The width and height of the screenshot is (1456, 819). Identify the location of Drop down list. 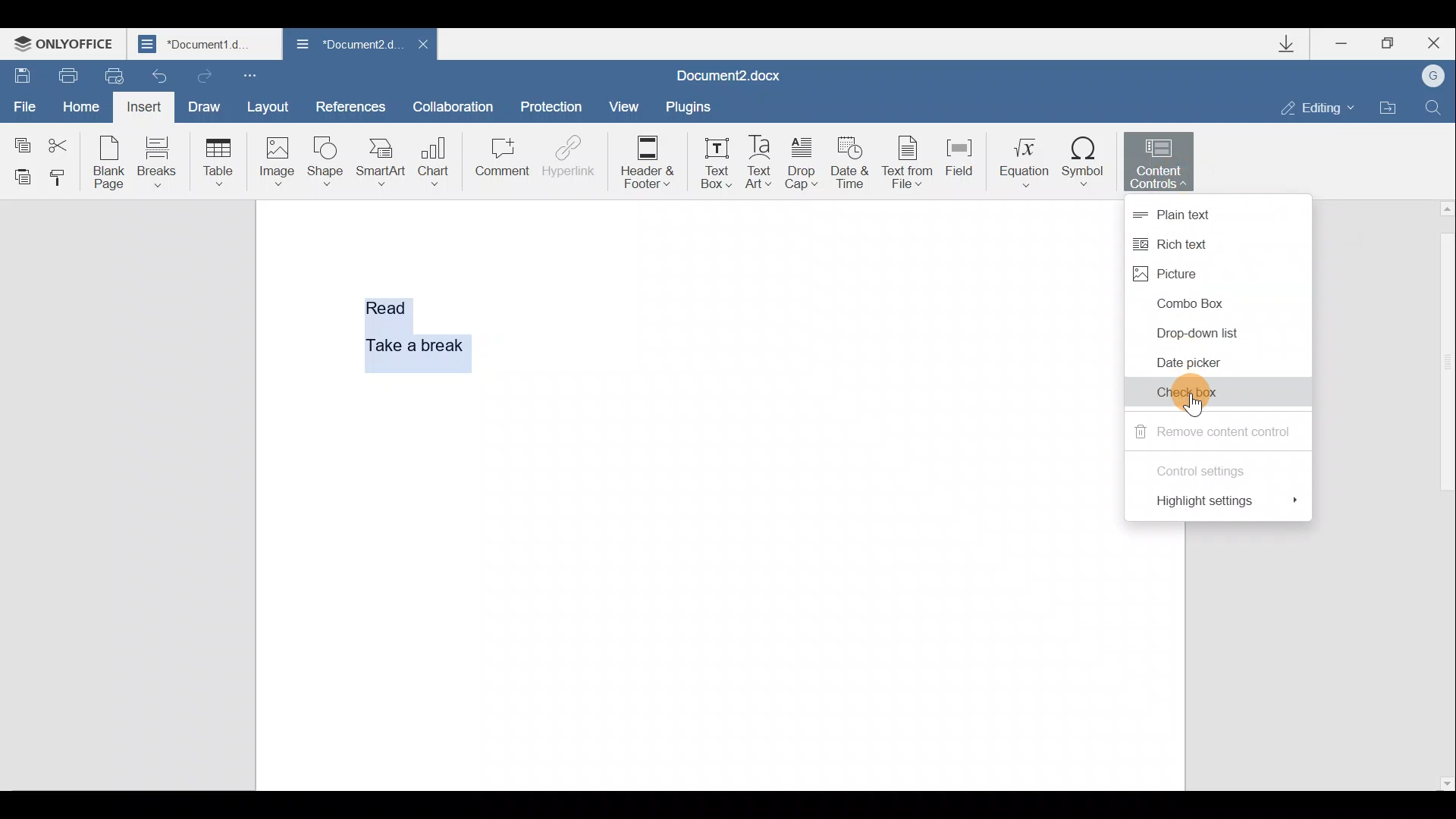
(1197, 331).